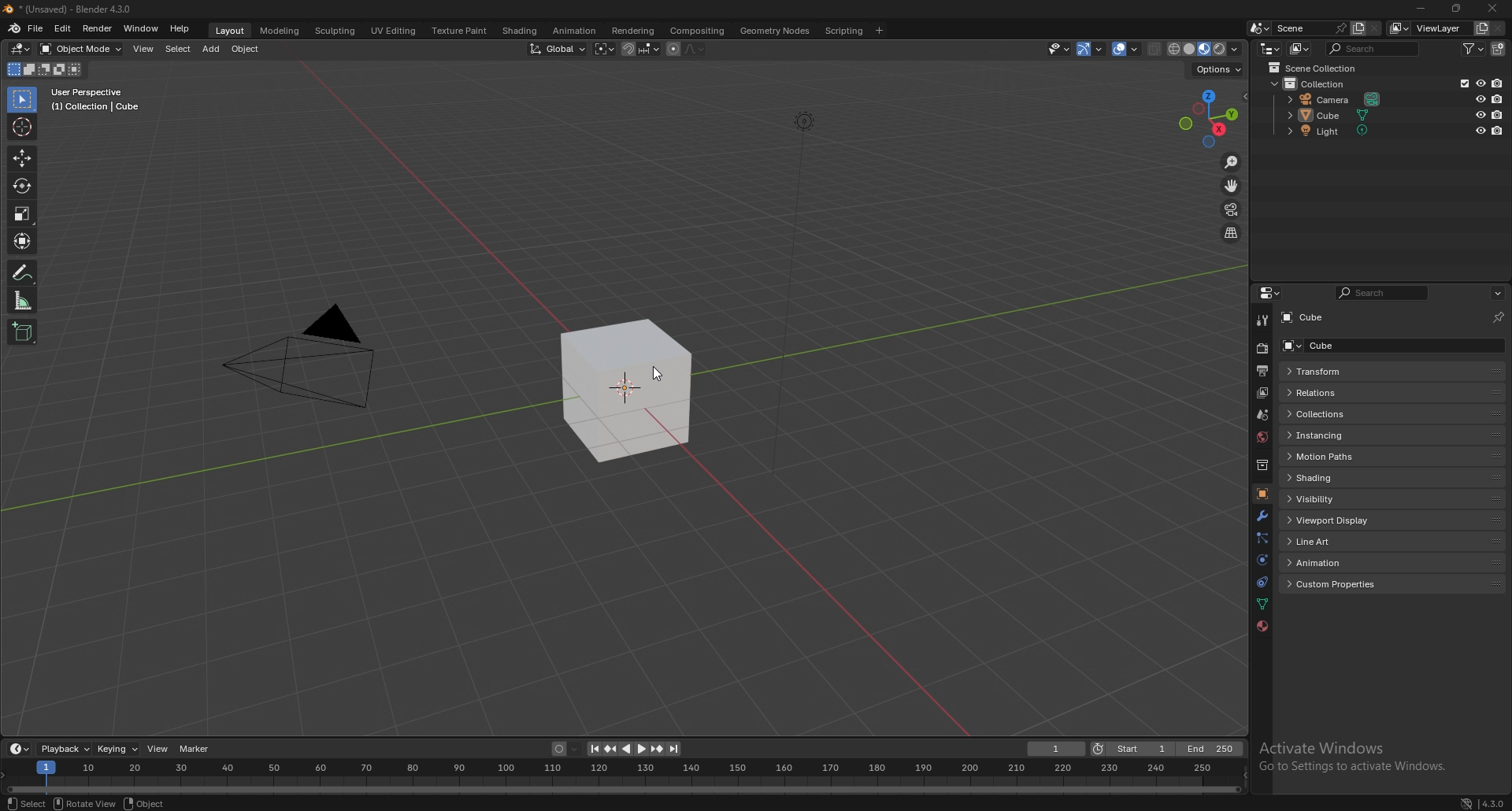 This screenshot has height=811, width=1512. Describe the element at coordinates (1232, 186) in the screenshot. I see `move` at that location.